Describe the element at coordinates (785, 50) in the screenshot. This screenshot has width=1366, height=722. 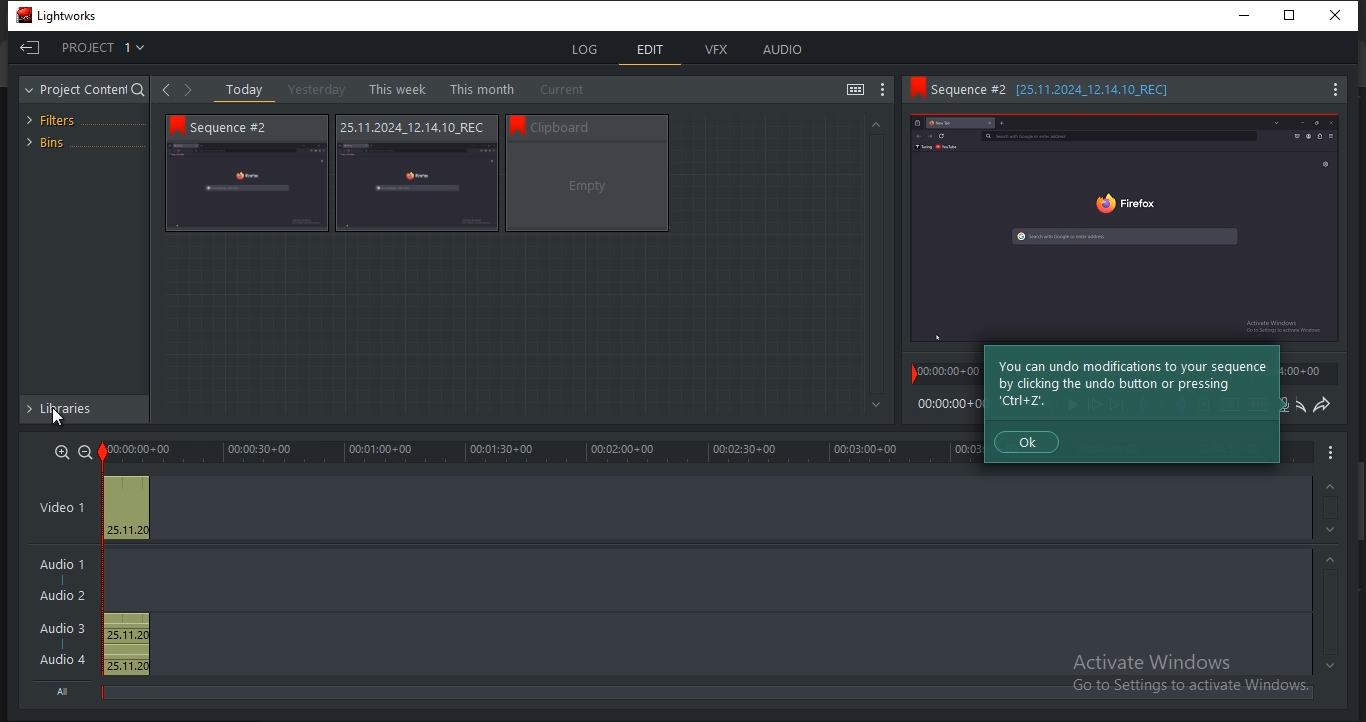
I see `audio` at that location.